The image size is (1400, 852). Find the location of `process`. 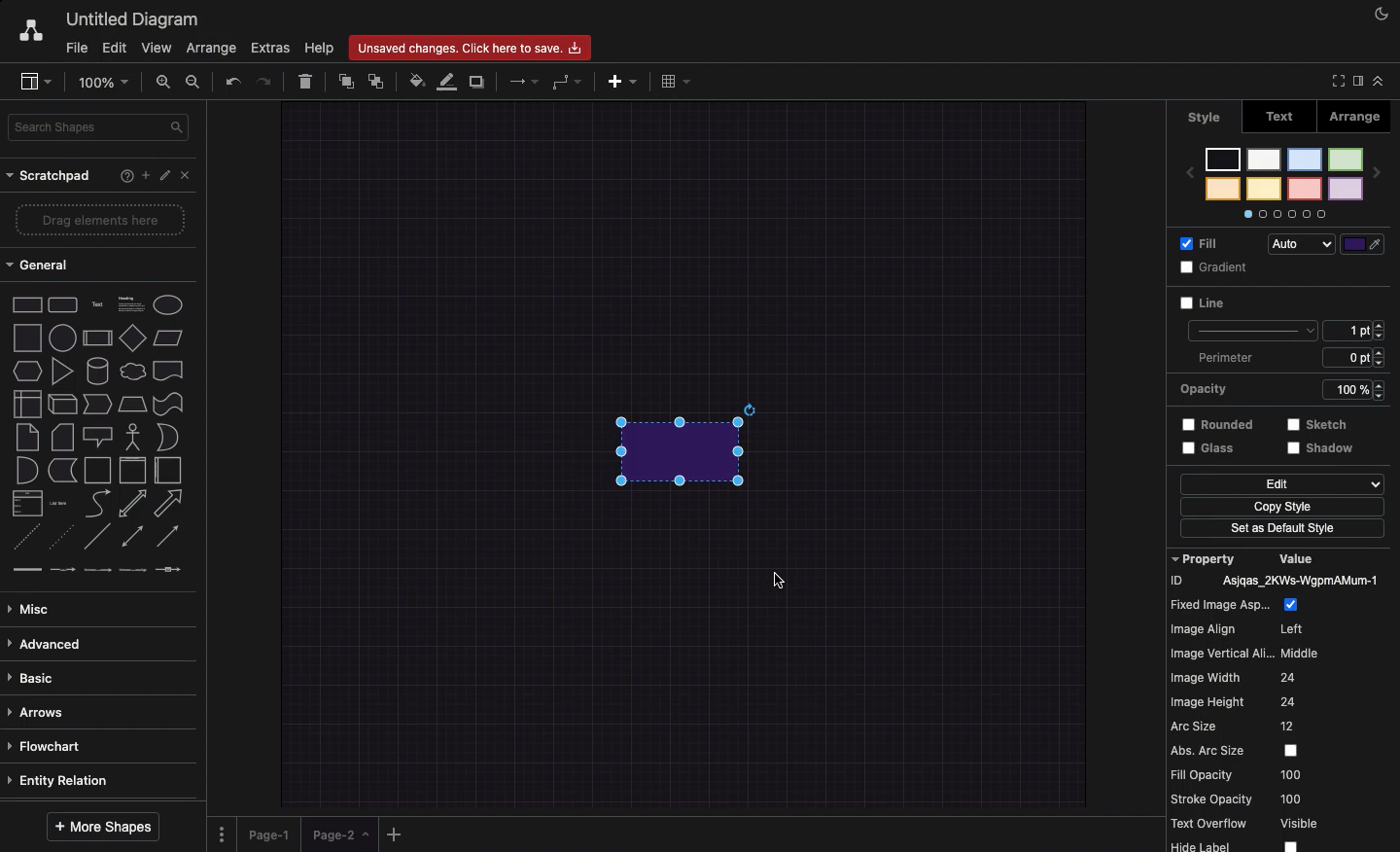

process is located at coordinates (96, 338).